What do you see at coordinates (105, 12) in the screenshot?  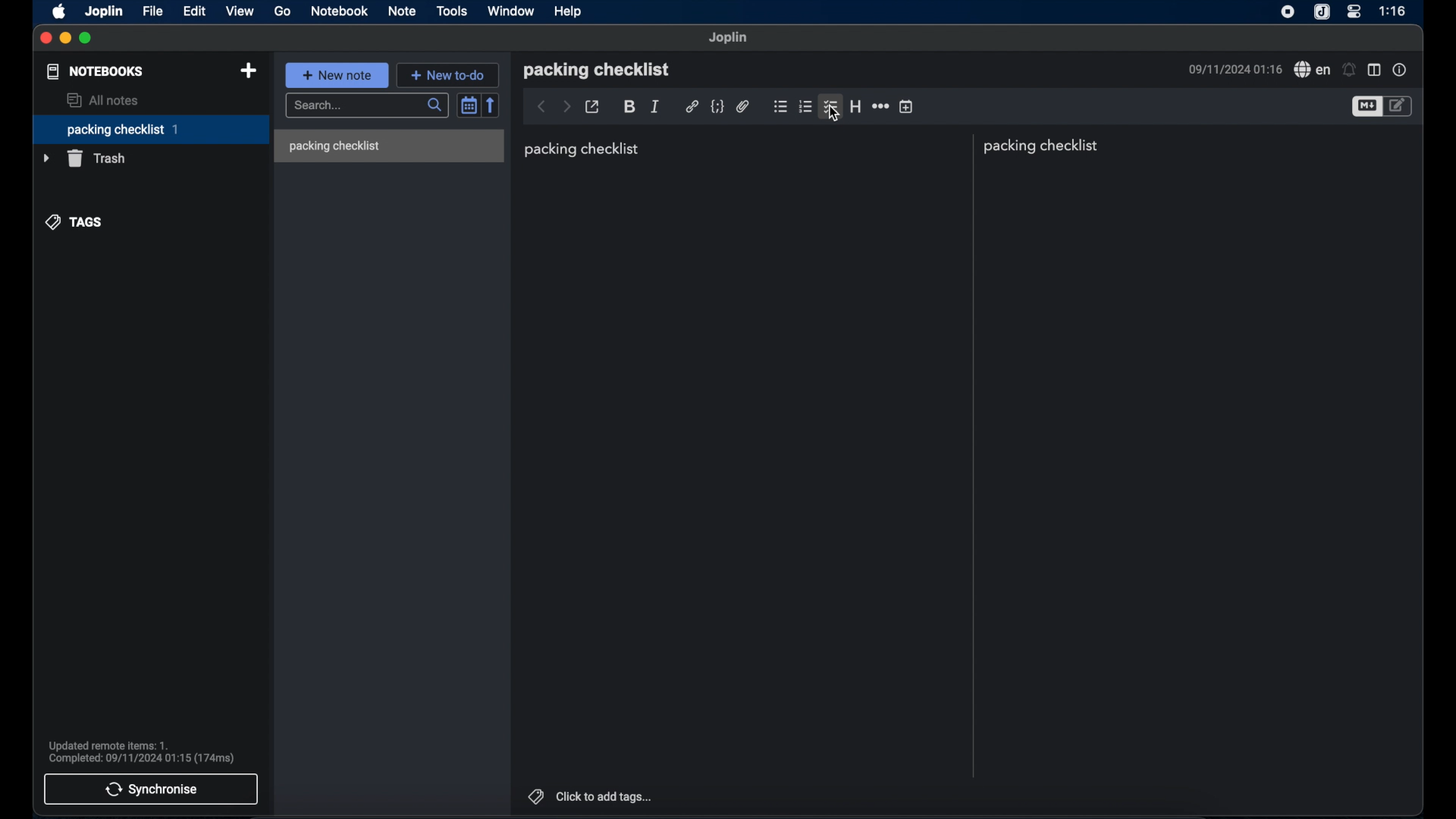 I see `joplin` at bounding box center [105, 12].